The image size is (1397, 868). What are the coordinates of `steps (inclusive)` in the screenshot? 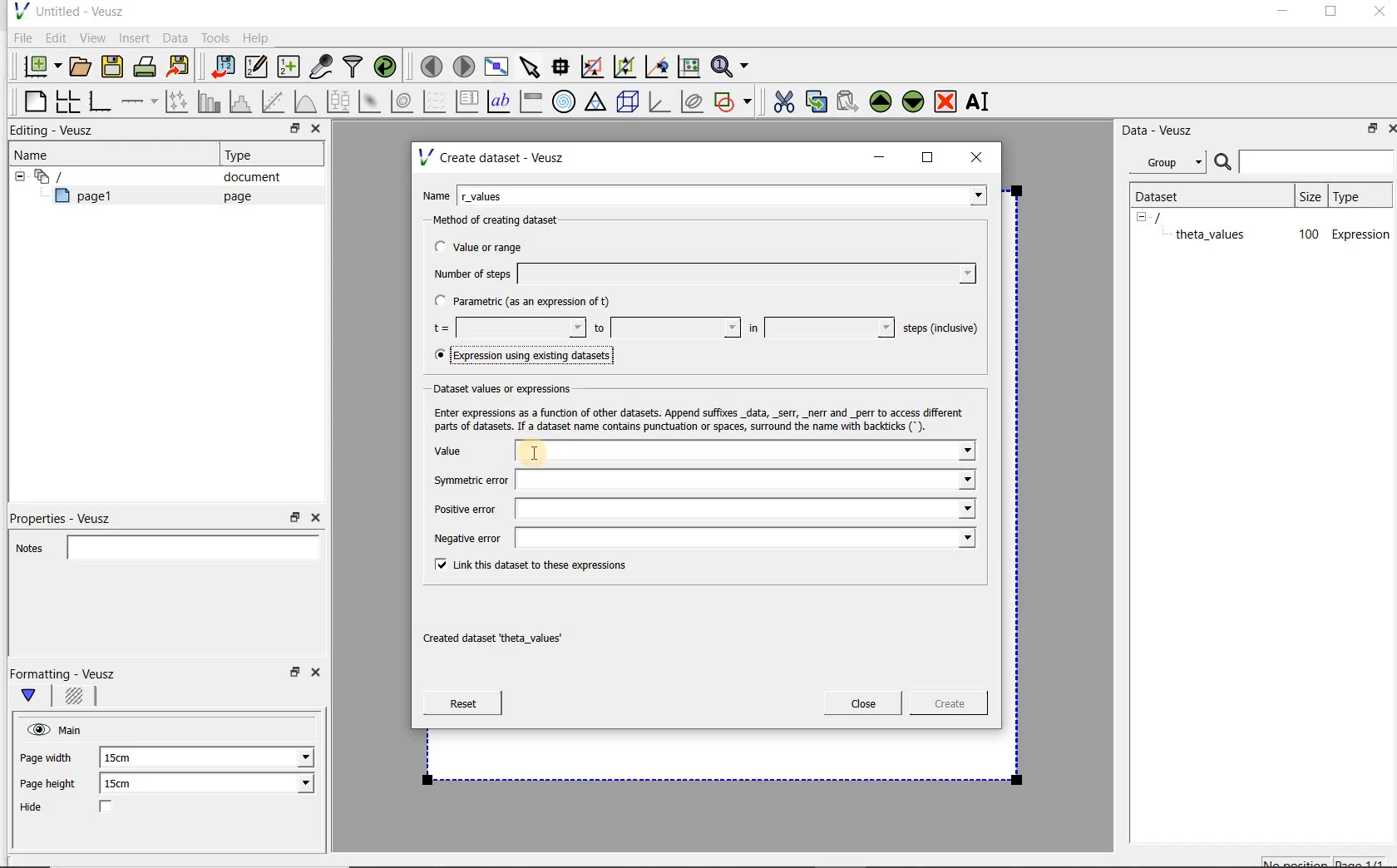 It's located at (941, 329).